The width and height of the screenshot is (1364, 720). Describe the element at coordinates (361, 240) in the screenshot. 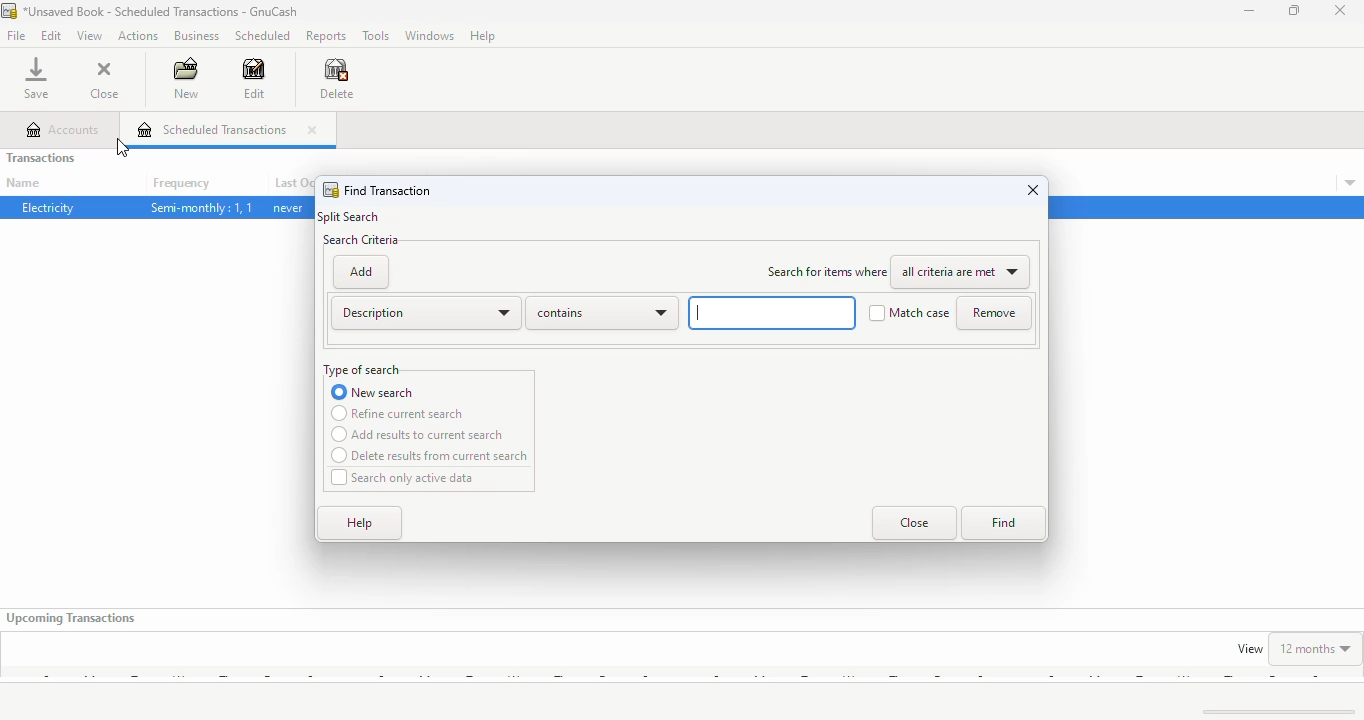

I see `search criteria` at that location.